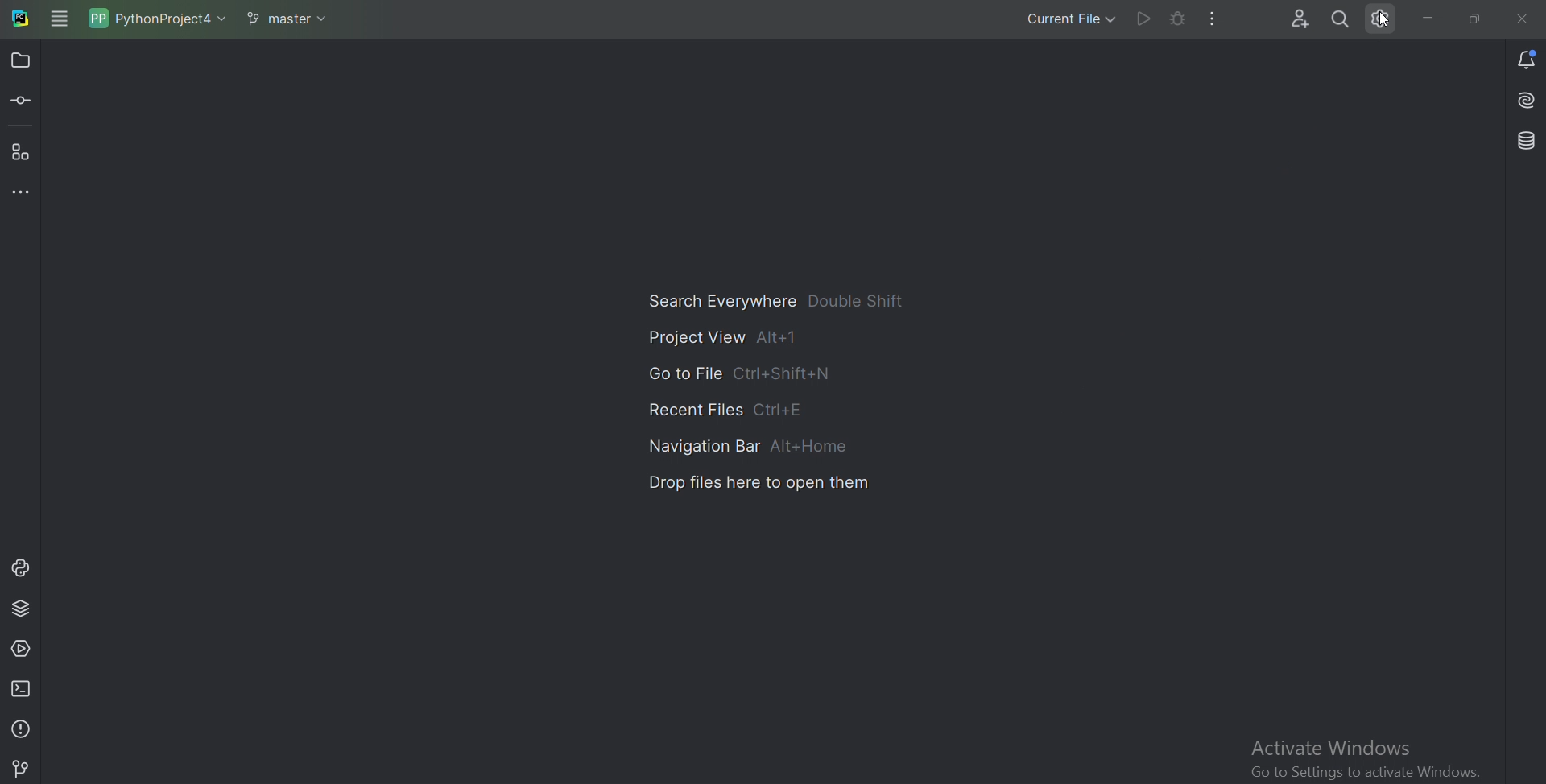  I want to click on Problems, so click(21, 728).